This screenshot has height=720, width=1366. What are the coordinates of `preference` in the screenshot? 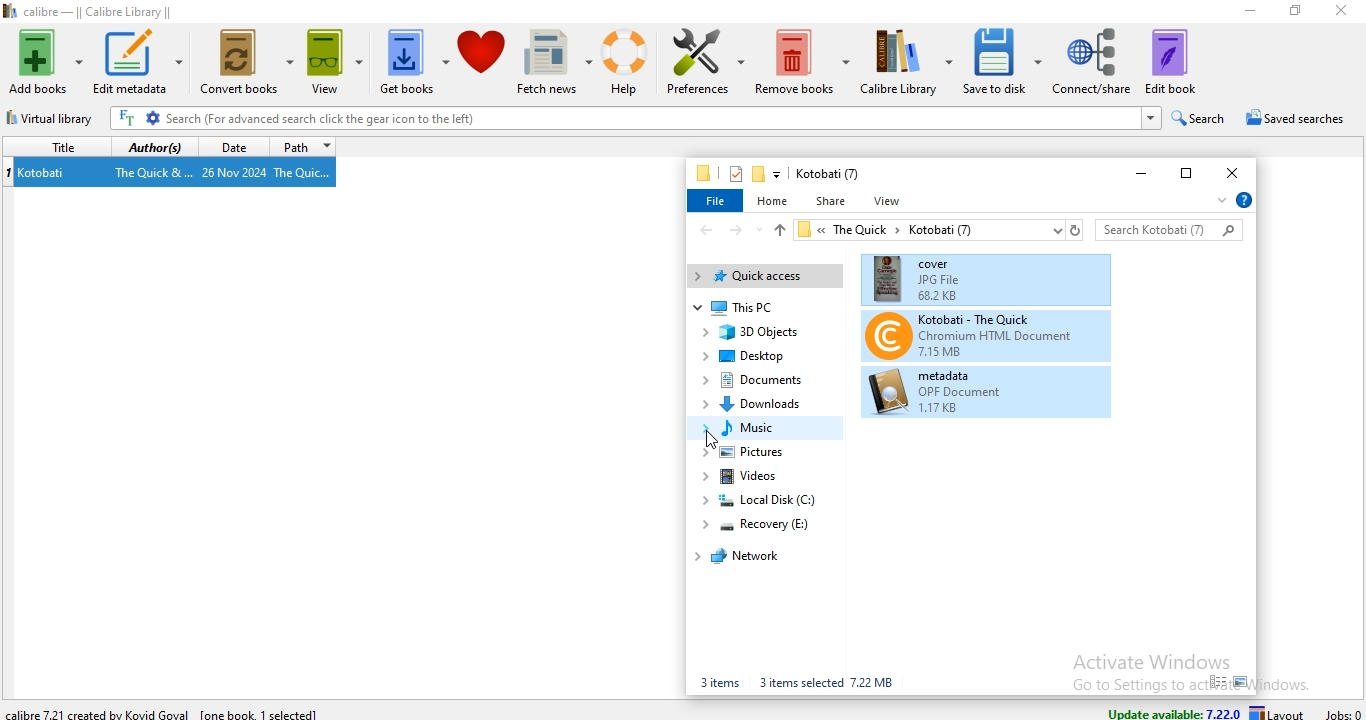 It's located at (701, 62).